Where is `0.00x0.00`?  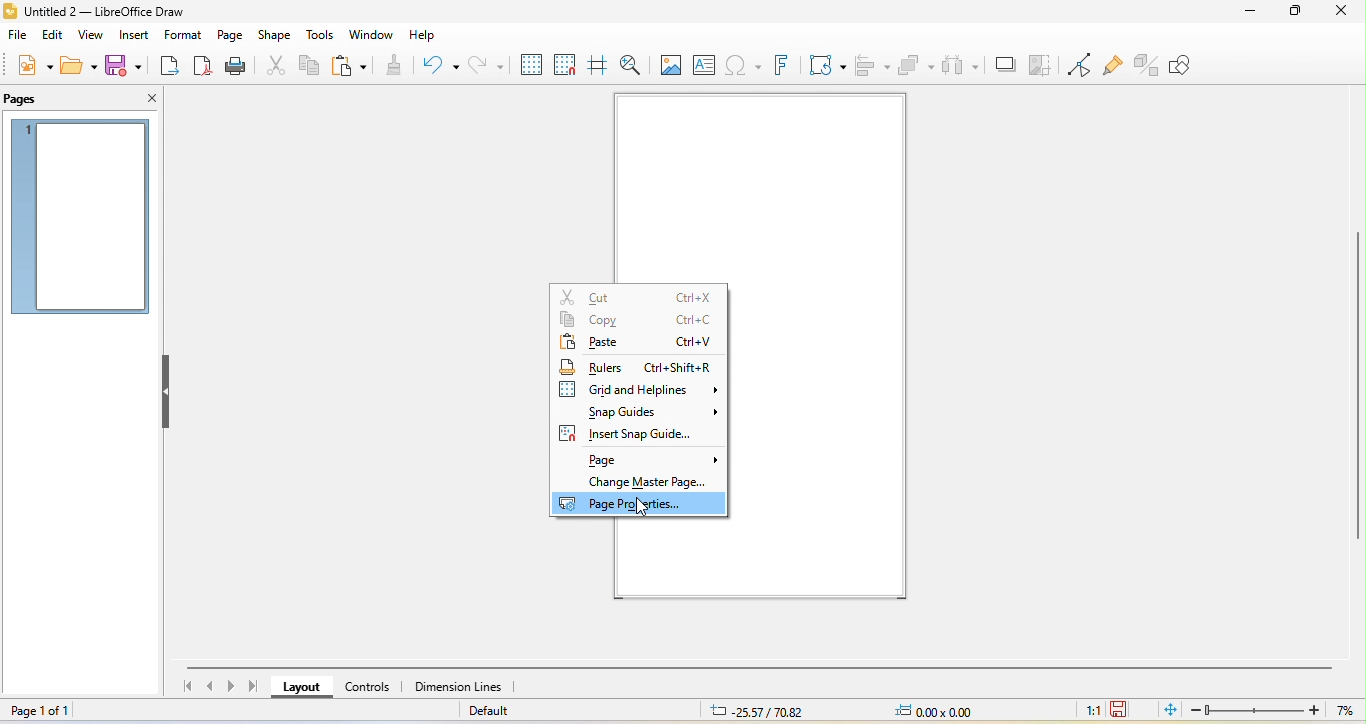
0.00x0.00 is located at coordinates (933, 710).